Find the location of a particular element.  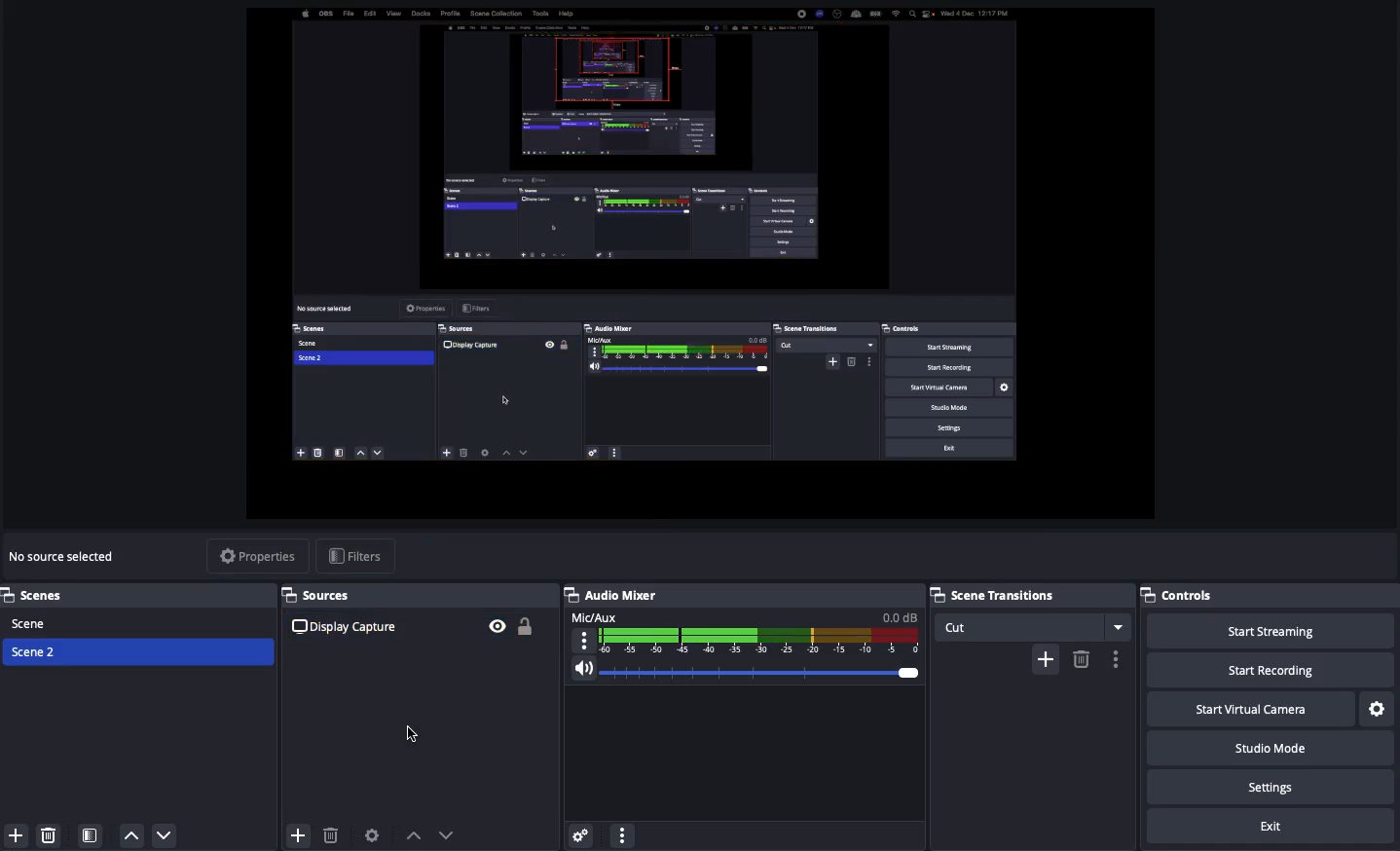

Pasted is located at coordinates (702, 248).